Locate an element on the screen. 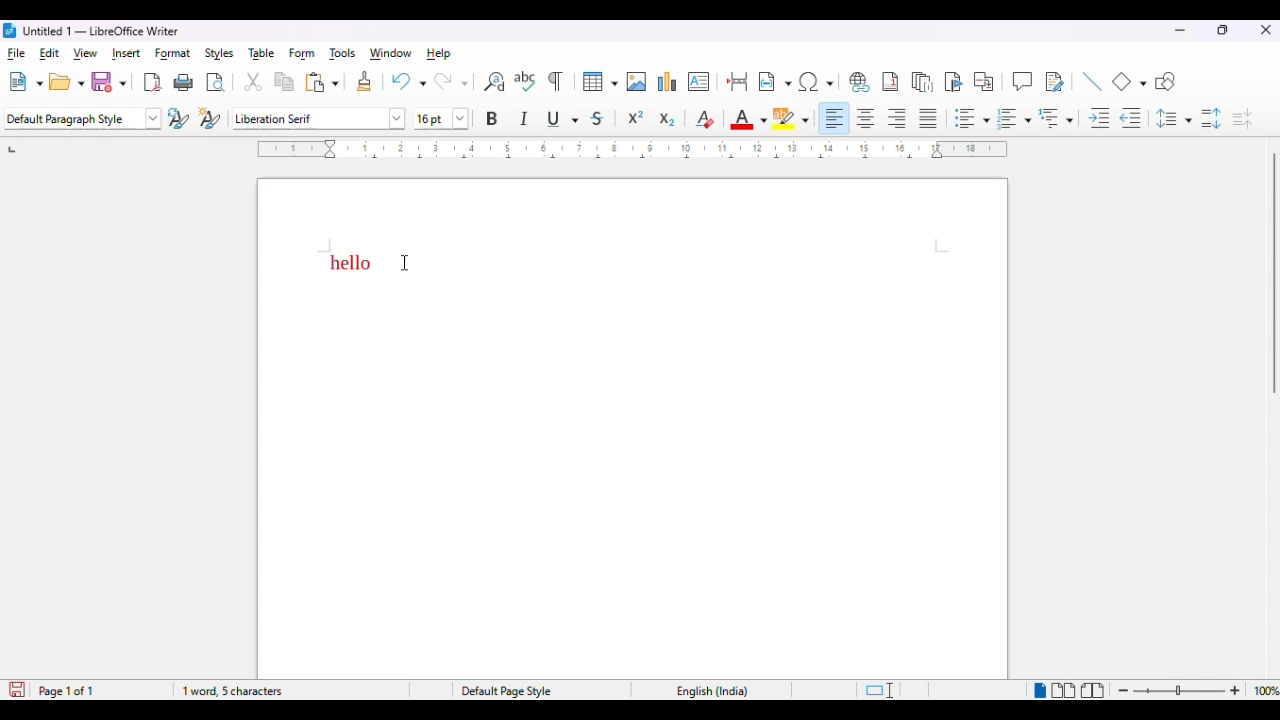 This screenshot has width=1280, height=720. book view is located at coordinates (1093, 692).